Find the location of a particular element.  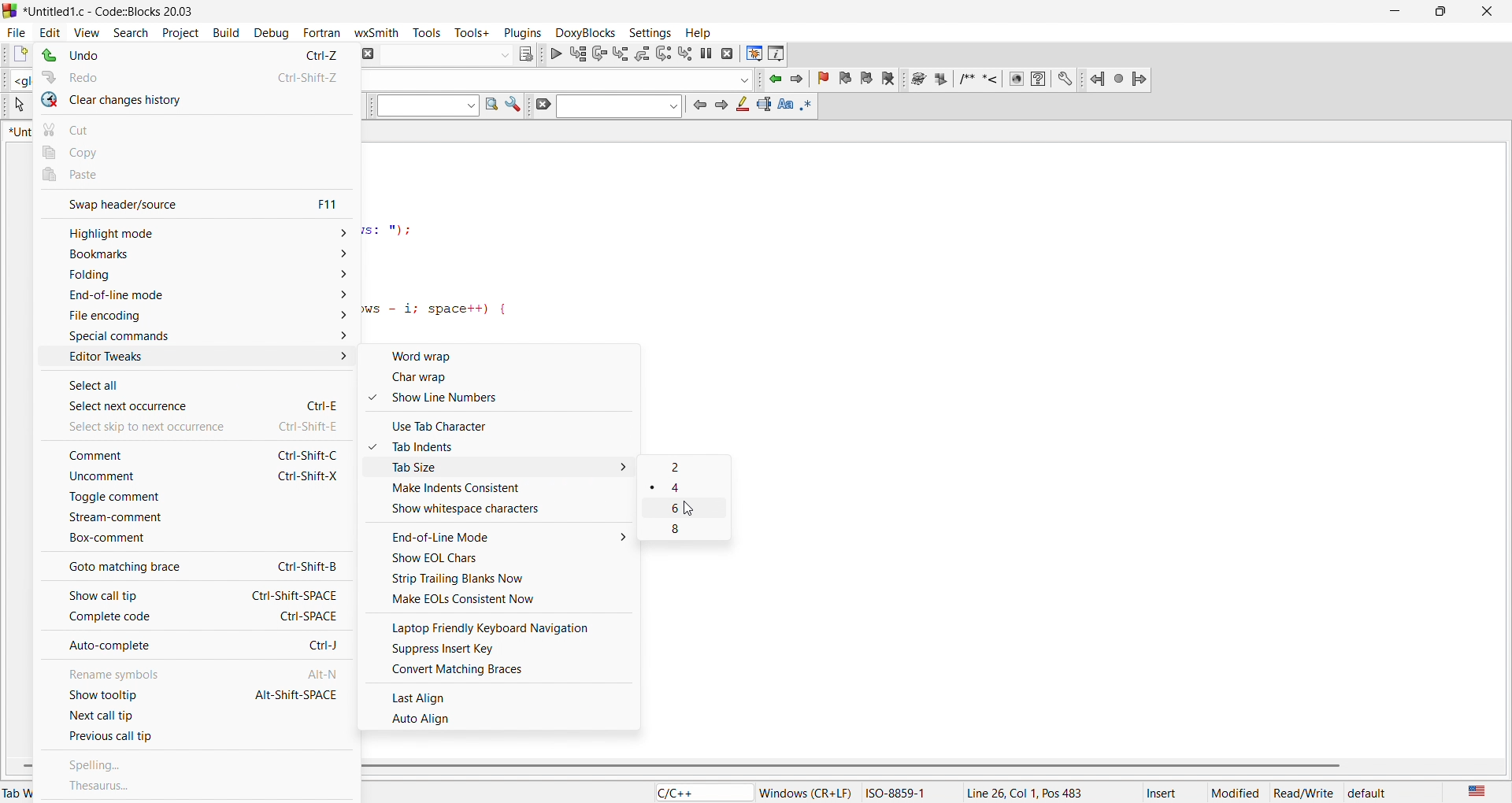

goto matching brace  is located at coordinates (131, 566).